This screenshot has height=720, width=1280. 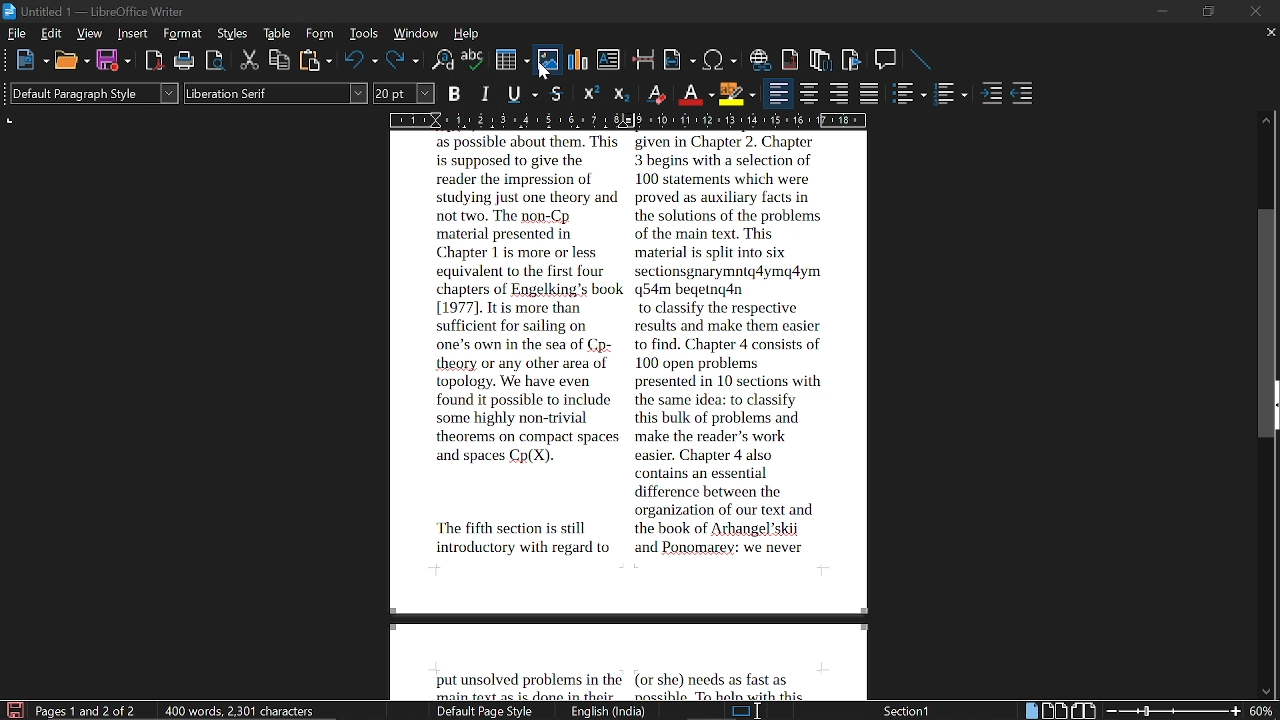 I want to click on tools, so click(x=362, y=34).